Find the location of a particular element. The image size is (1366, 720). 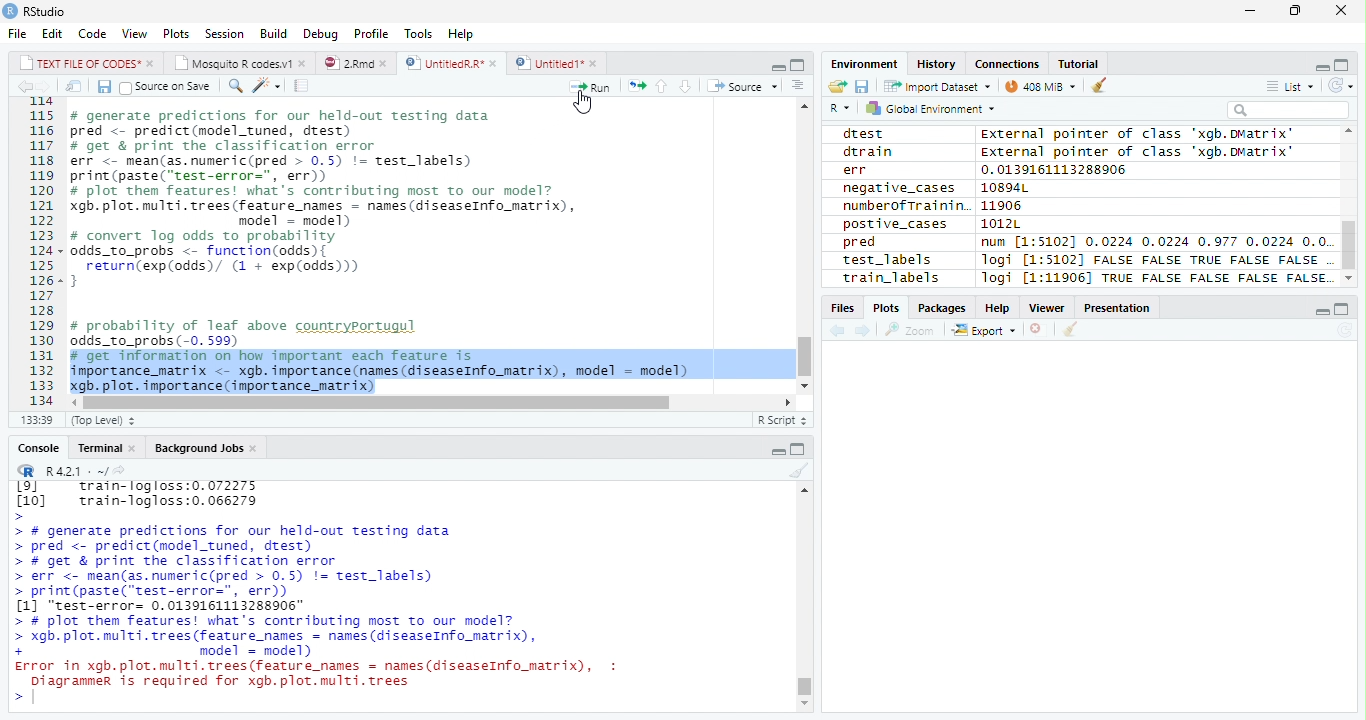

11906 is located at coordinates (1003, 205).